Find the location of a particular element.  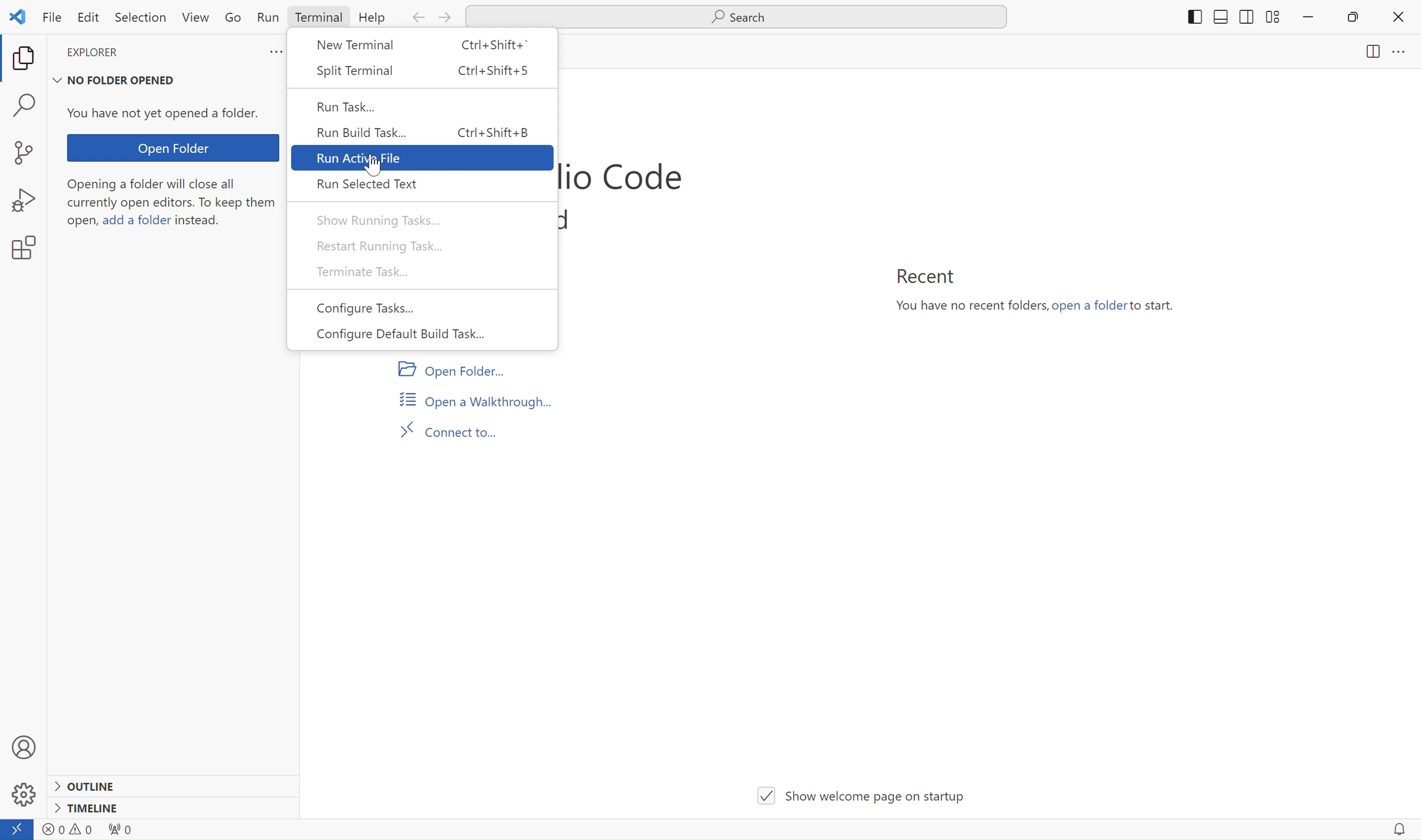

split terminal is located at coordinates (428, 71).